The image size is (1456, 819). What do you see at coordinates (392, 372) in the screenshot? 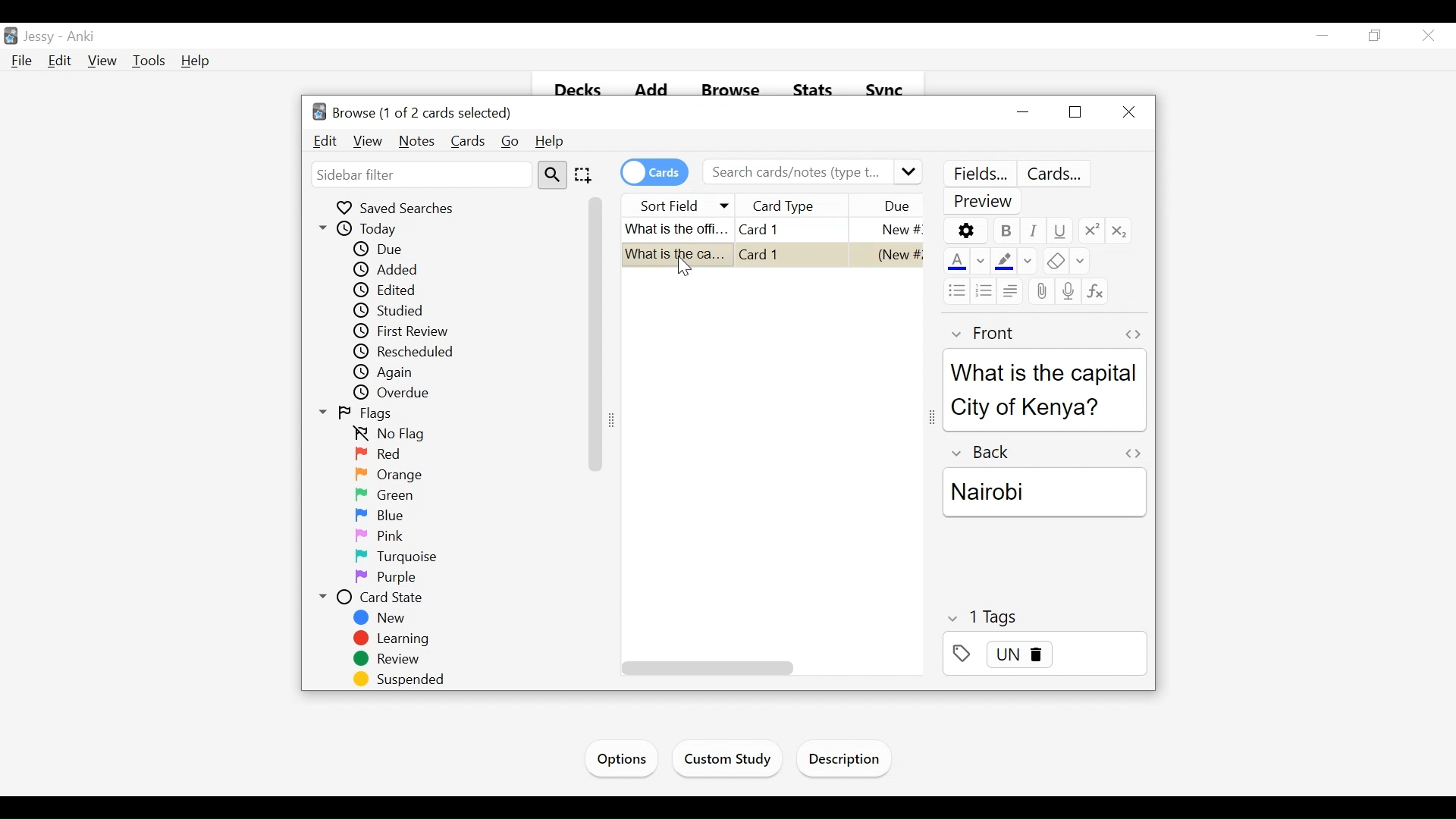
I see `Again` at bounding box center [392, 372].